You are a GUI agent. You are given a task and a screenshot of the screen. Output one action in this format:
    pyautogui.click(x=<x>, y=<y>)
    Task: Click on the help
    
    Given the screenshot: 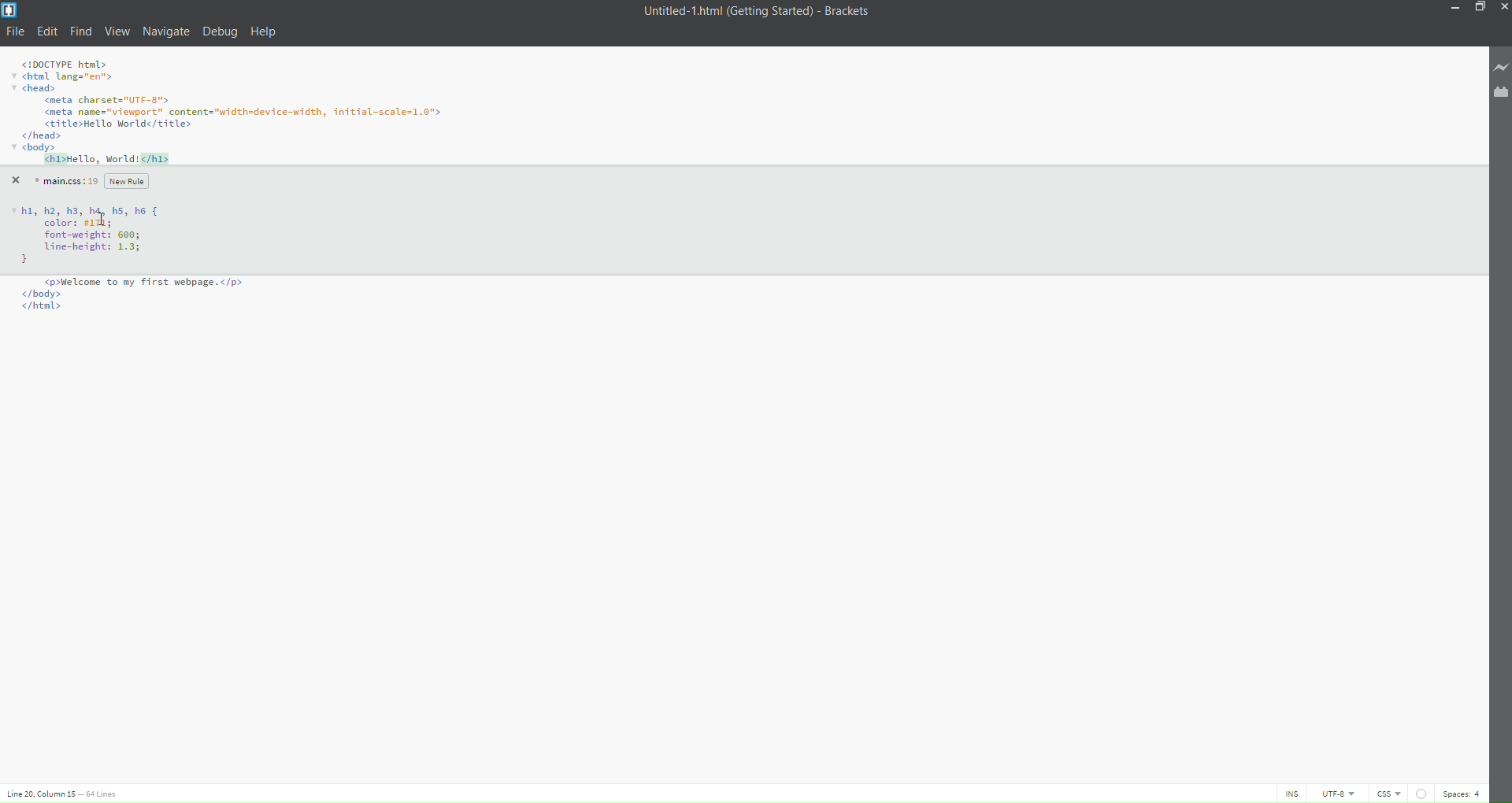 What is the action you would take?
    pyautogui.click(x=266, y=32)
    